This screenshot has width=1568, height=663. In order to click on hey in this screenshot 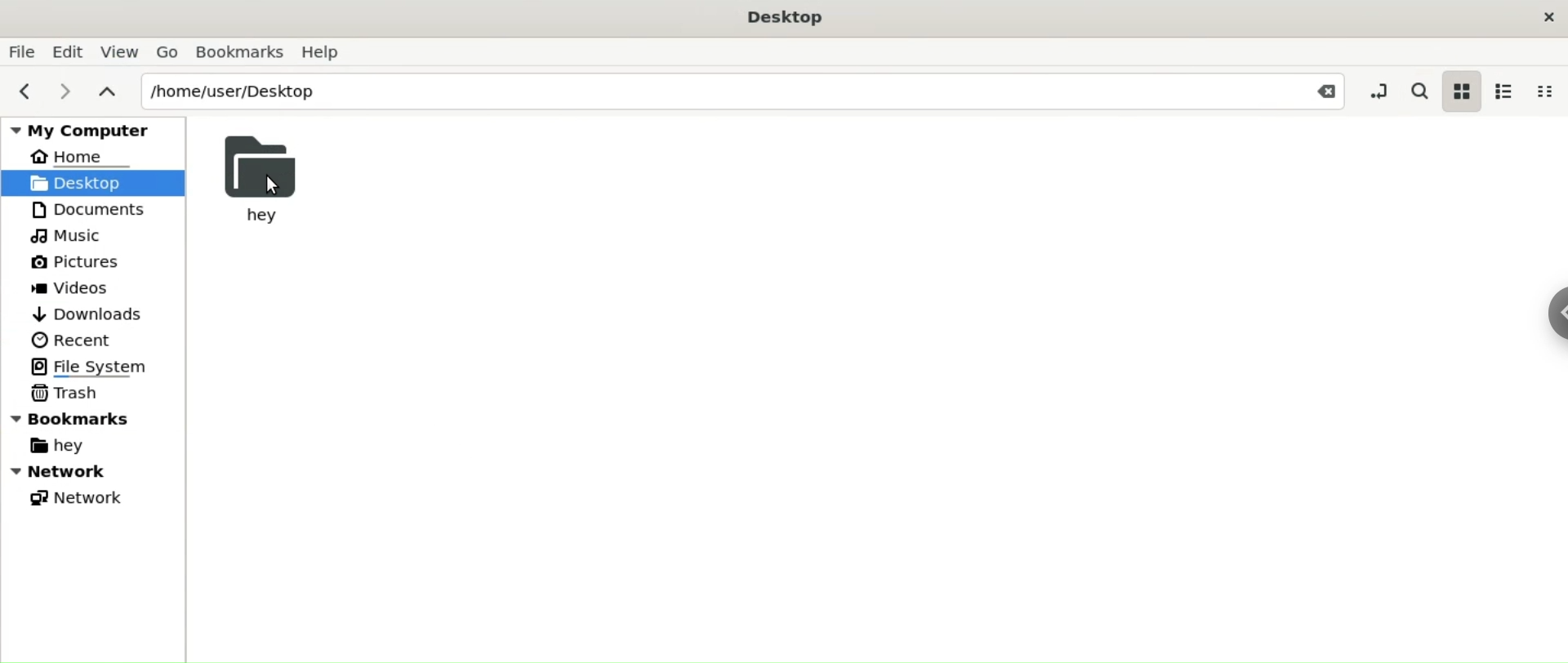, I will do `click(263, 180)`.